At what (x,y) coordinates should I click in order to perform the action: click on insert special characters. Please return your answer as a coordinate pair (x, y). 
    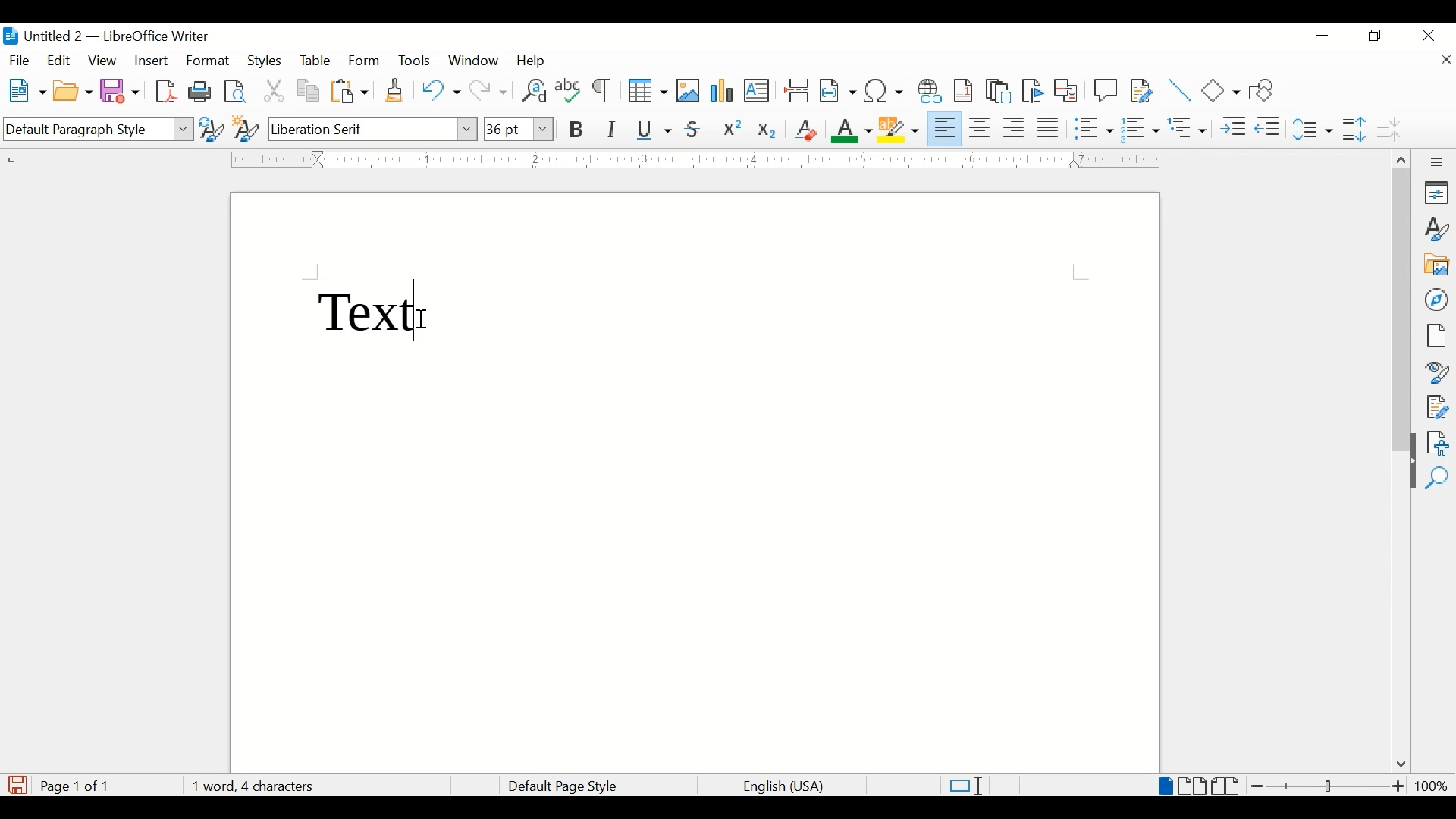
    Looking at the image, I should click on (884, 89).